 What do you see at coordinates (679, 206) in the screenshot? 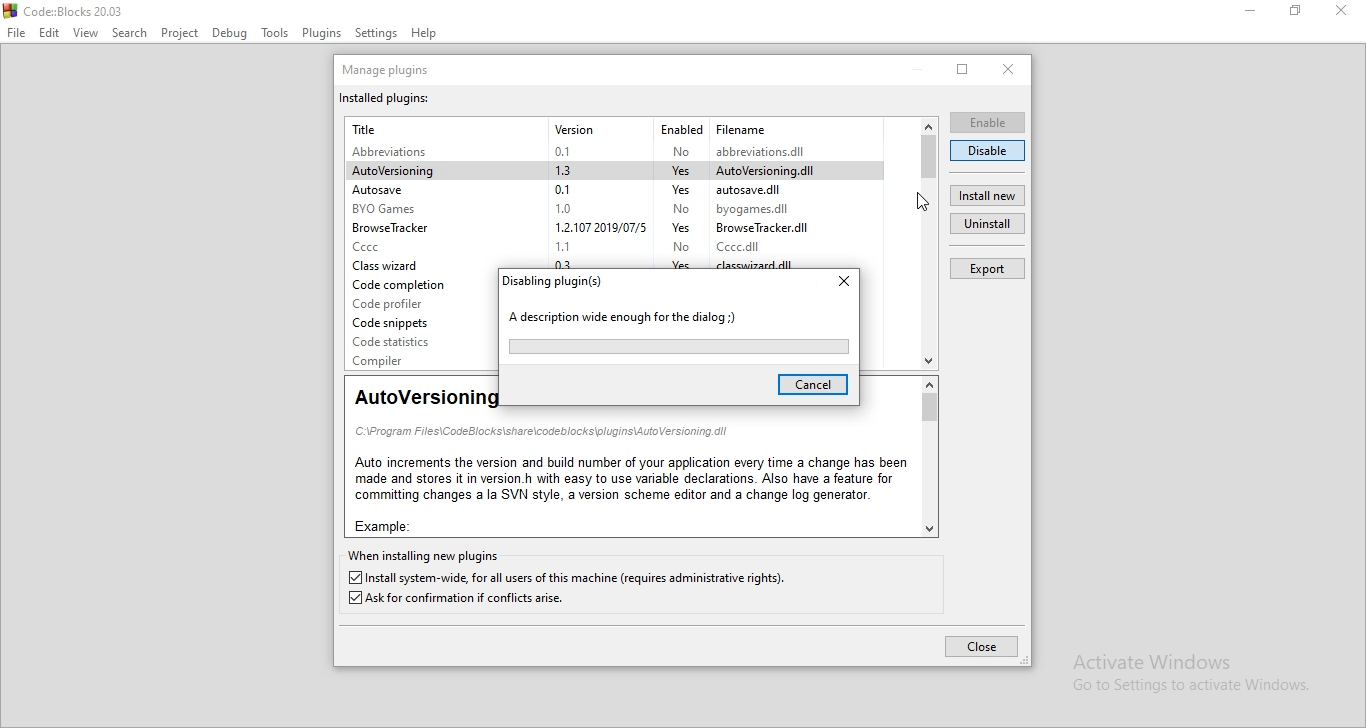
I see `No` at bounding box center [679, 206].